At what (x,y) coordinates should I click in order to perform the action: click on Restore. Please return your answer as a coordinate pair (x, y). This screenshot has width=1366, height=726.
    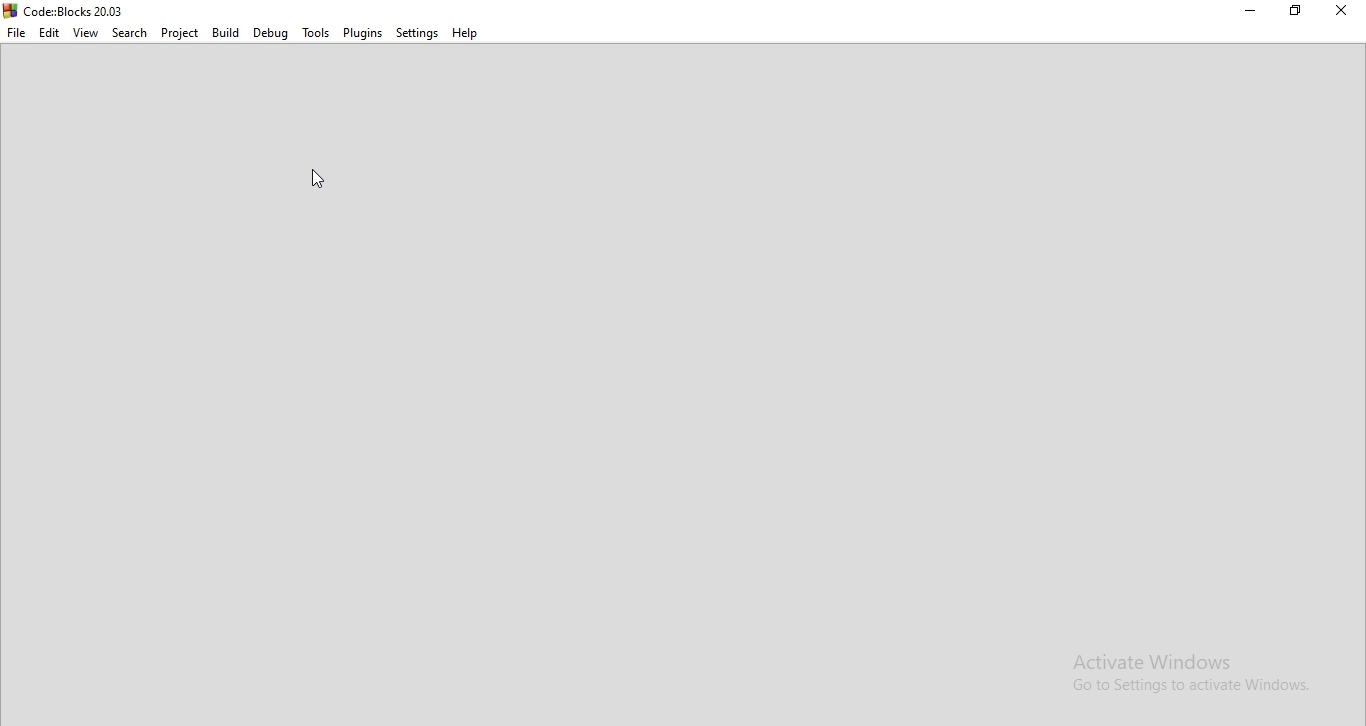
    Looking at the image, I should click on (1298, 12).